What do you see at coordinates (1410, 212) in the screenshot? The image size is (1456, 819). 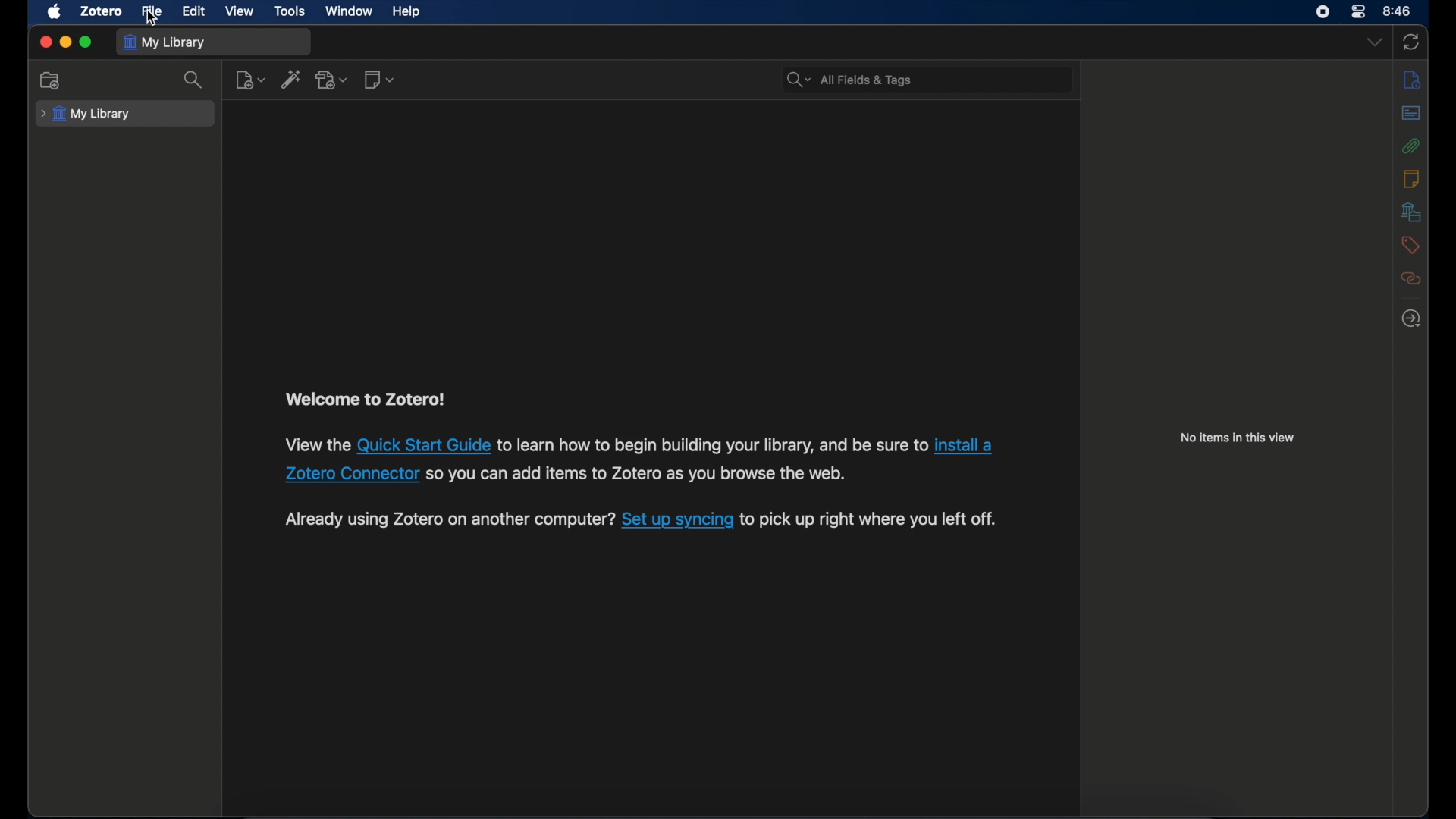 I see `libraries` at bounding box center [1410, 212].